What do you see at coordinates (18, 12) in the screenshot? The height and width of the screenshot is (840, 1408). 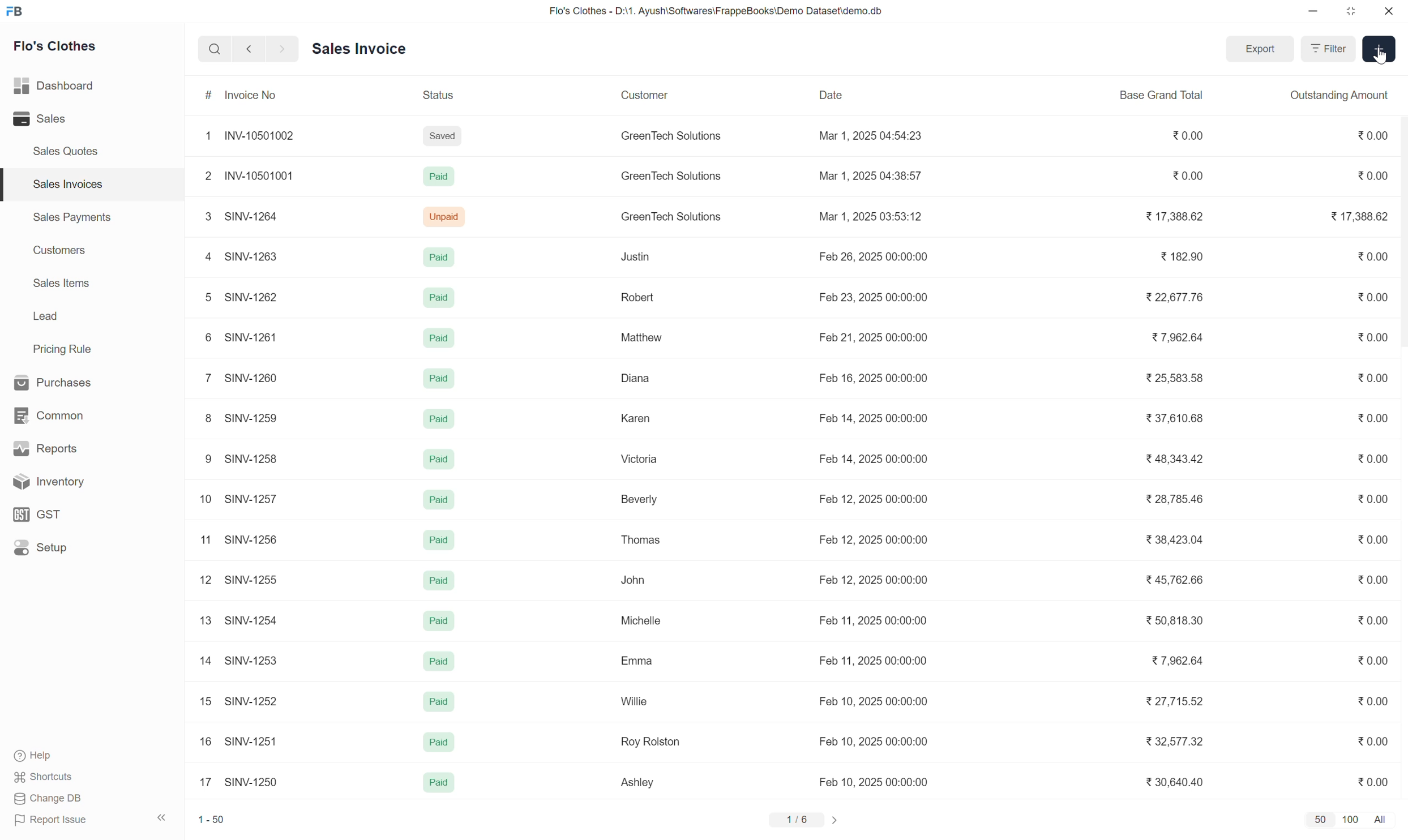 I see `Frappe Book logo` at bounding box center [18, 12].